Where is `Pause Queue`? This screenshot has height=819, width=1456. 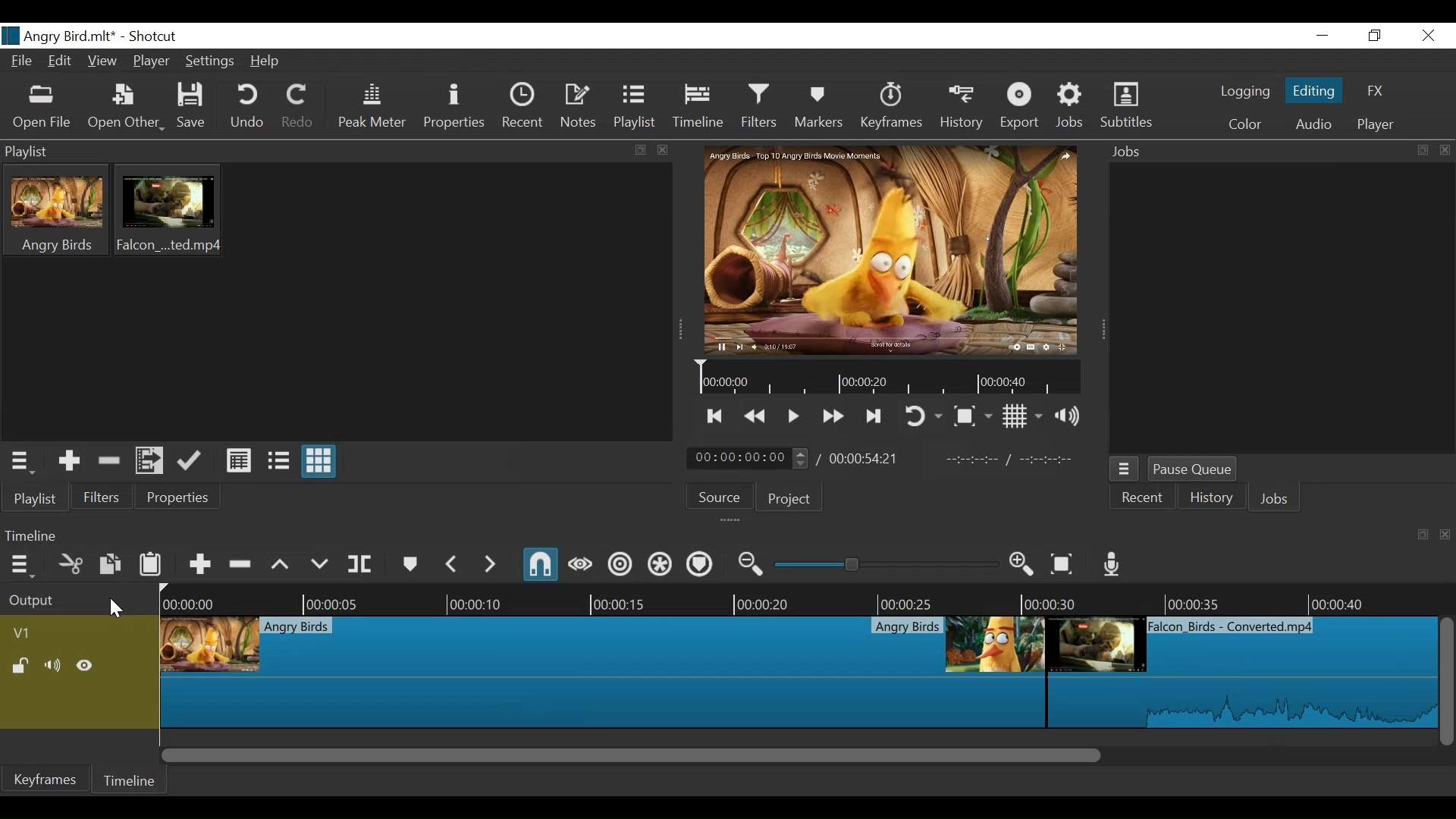 Pause Queue is located at coordinates (1196, 470).